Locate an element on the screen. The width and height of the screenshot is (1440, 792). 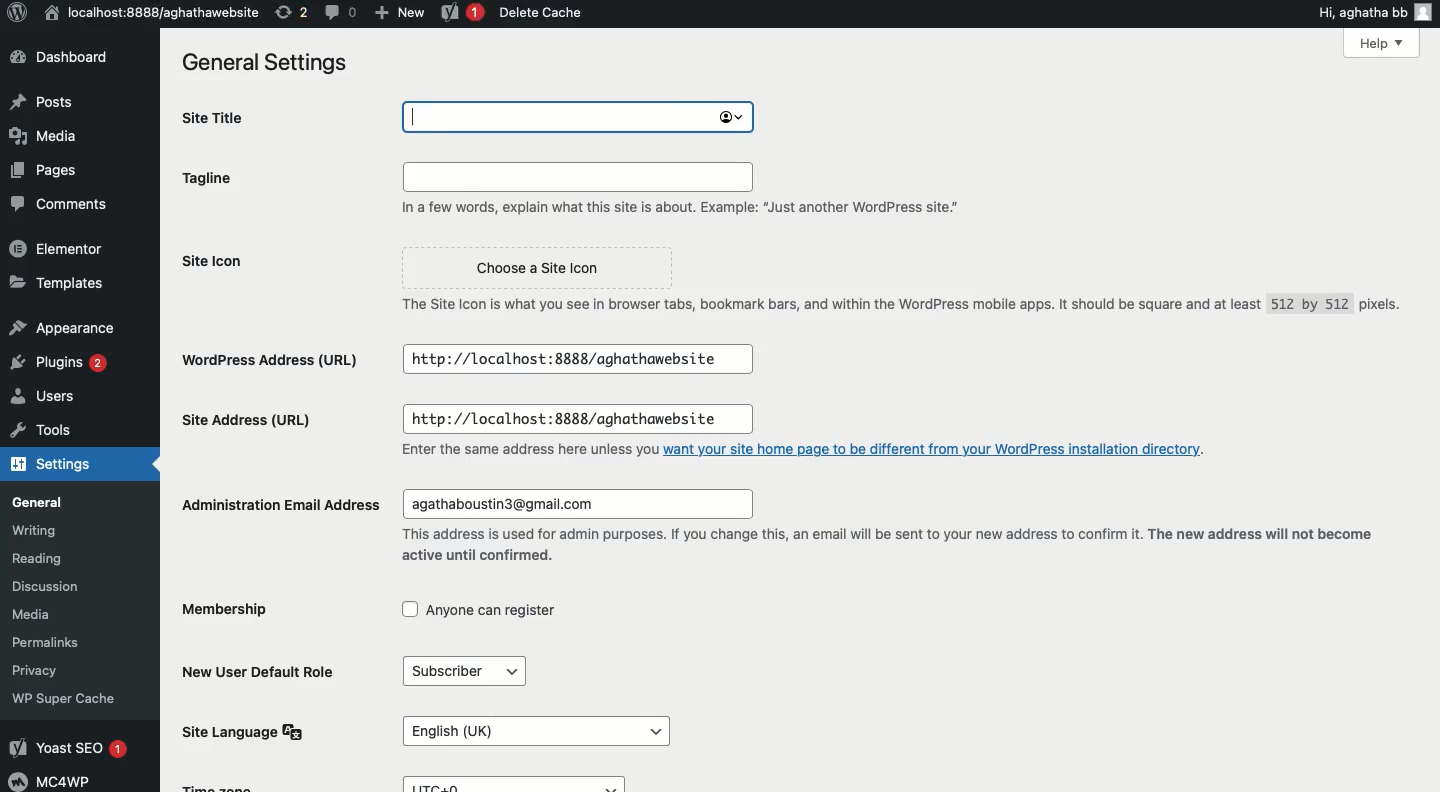
Media is located at coordinates (41, 134).